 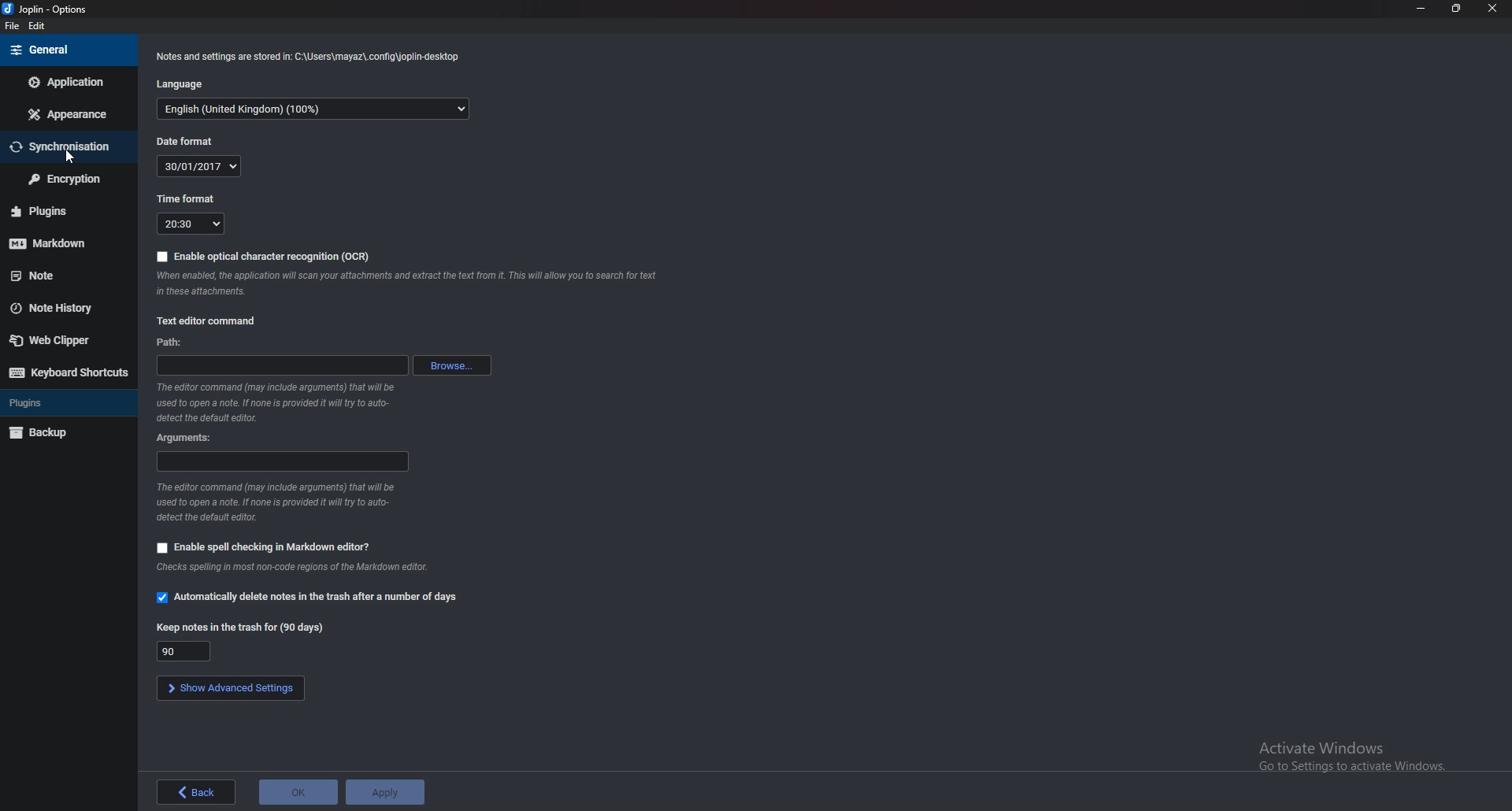 I want to click on arguments, so click(x=189, y=439).